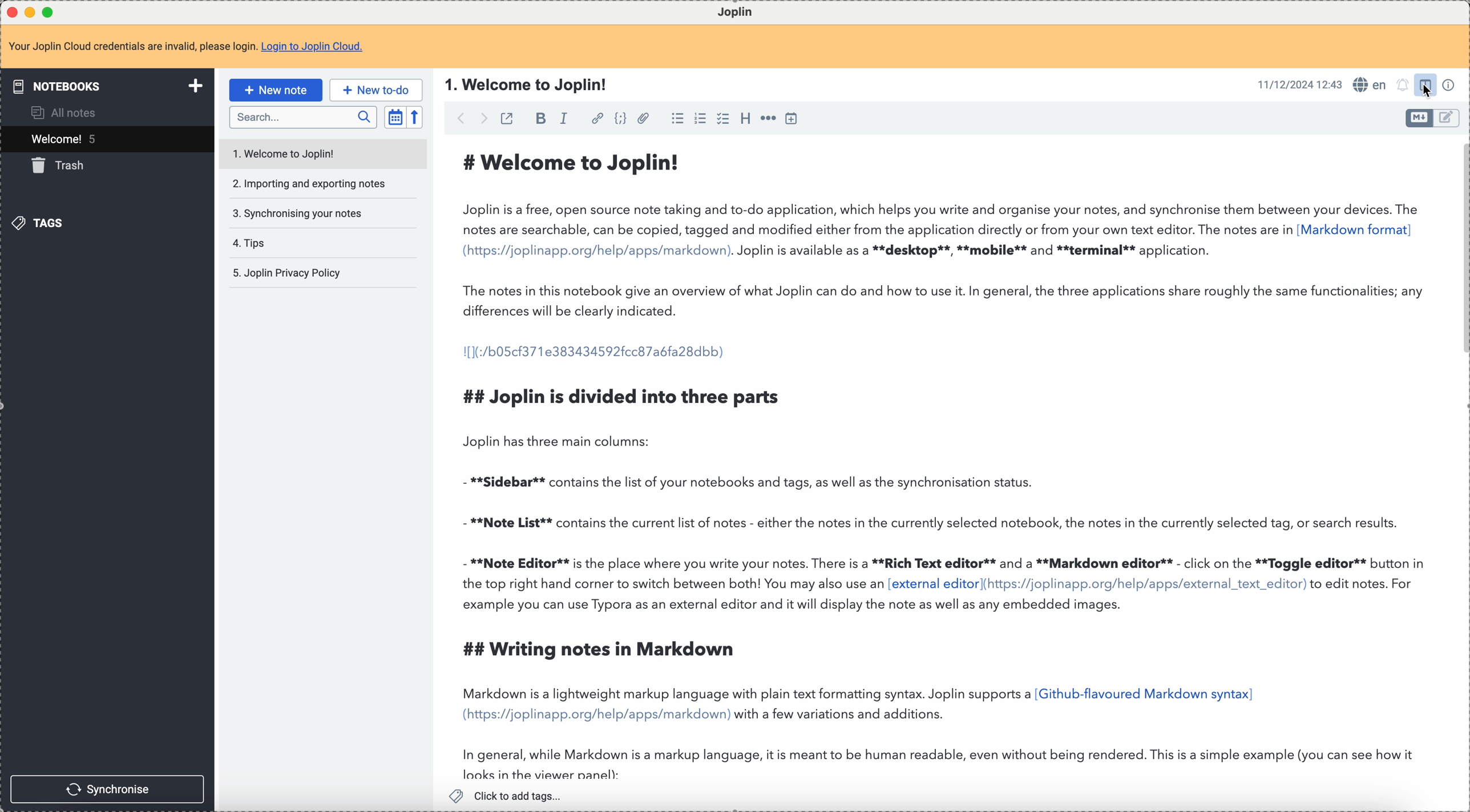 This screenshot has height=812, width=1470. I want to click on (https://joplinapp.org/help/apps/markdown), so click(596, 715).